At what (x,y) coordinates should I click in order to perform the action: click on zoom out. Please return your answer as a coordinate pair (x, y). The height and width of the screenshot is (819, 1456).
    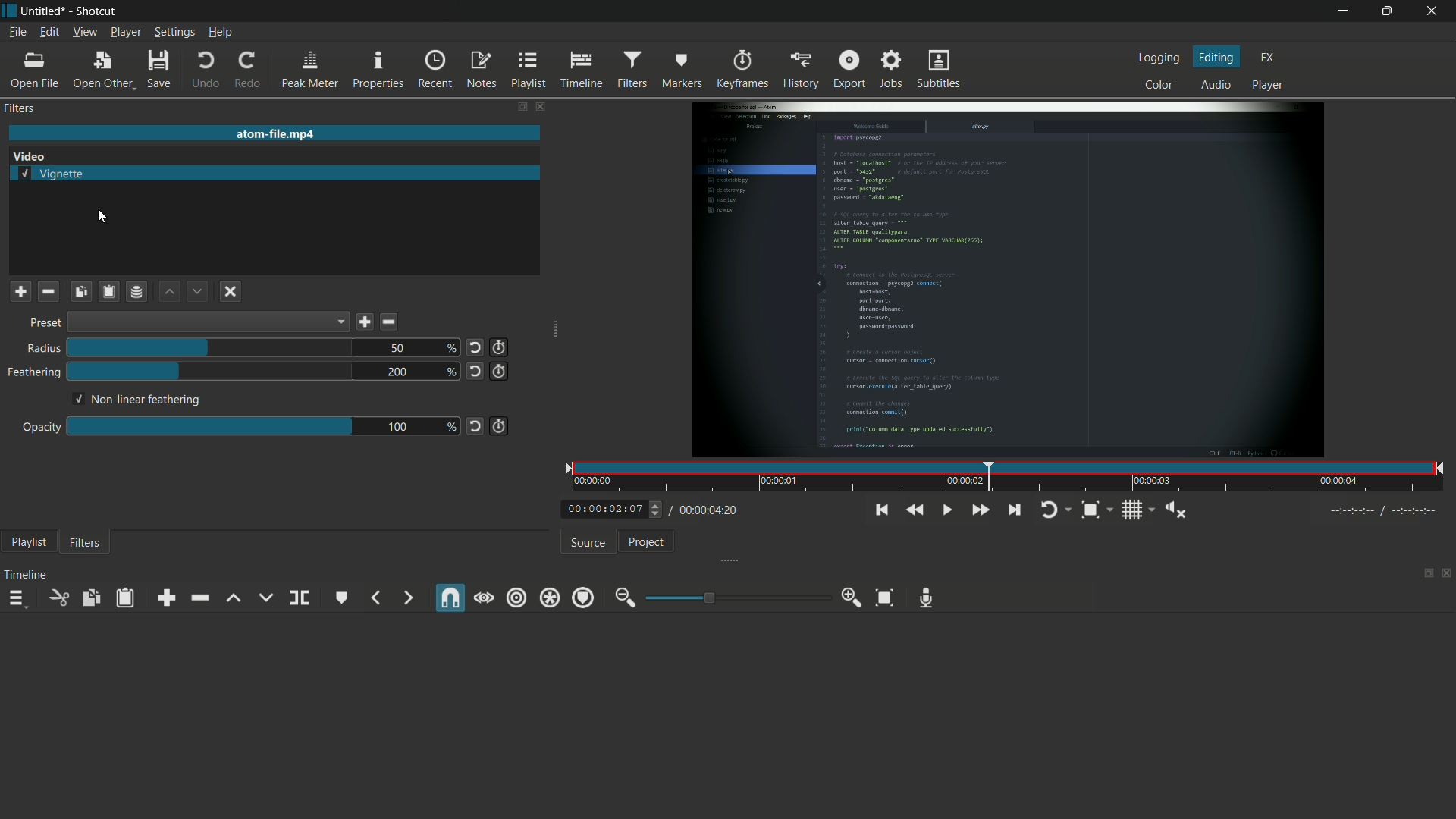
    Looking at the image, I should click on (626, 598).